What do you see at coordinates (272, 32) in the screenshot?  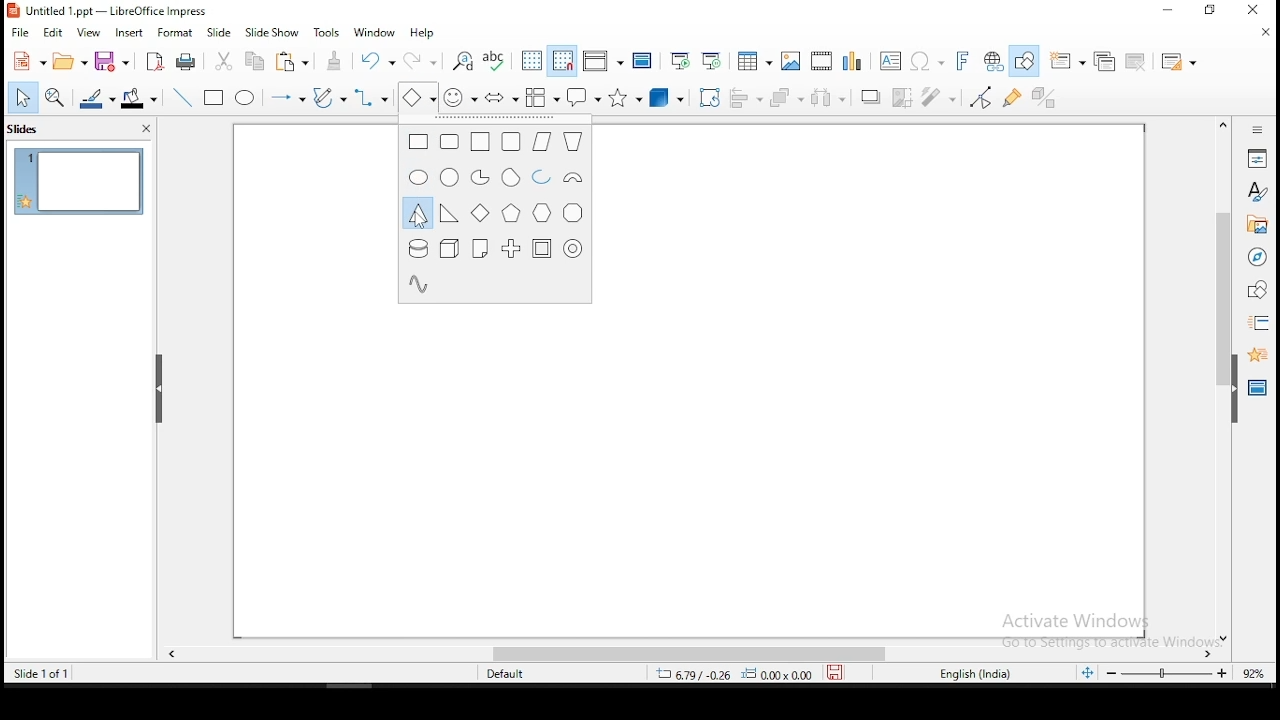 I see `slide show` at bounding box center [272, 32].